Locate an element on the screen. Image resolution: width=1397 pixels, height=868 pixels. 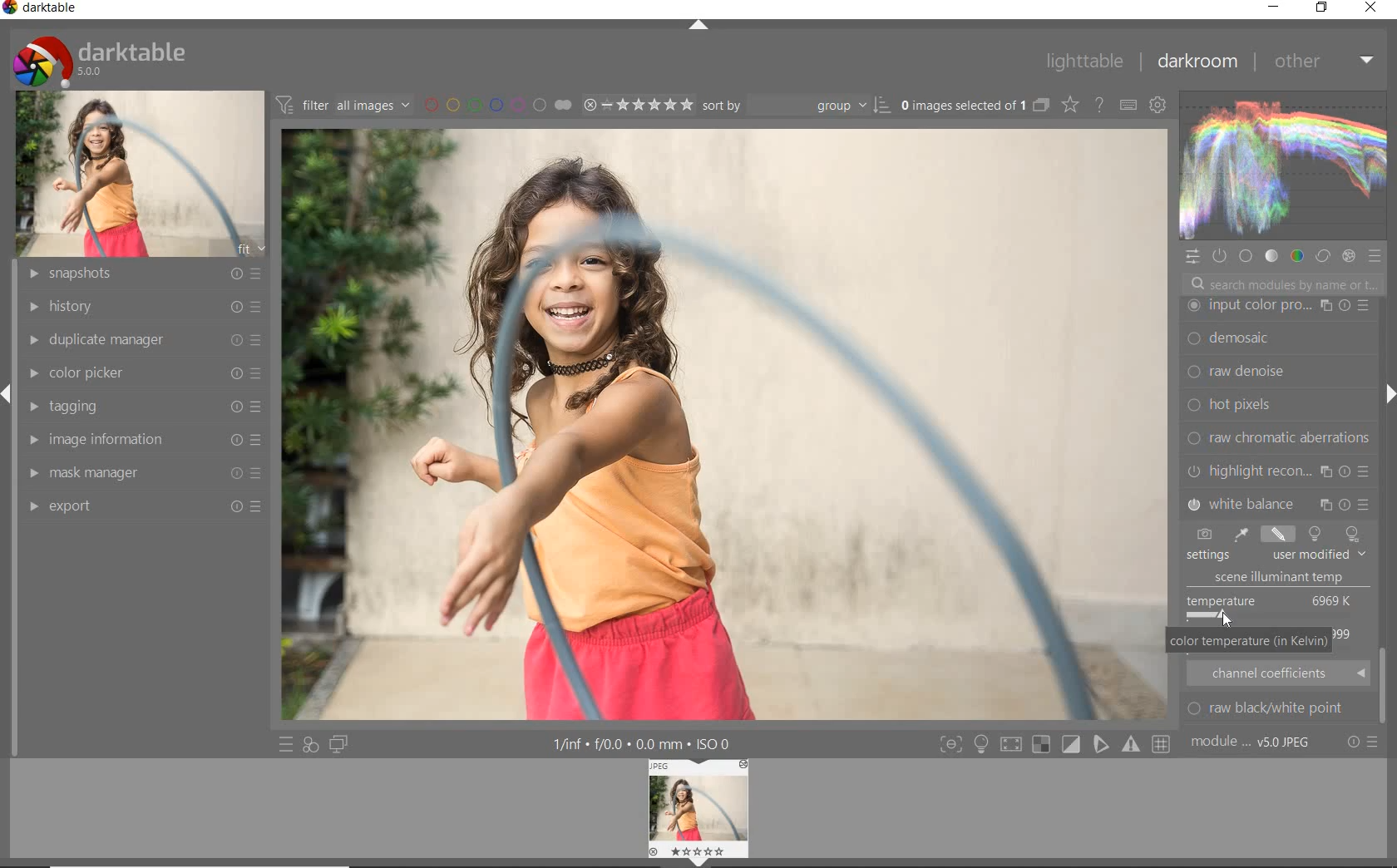
base is located at coordinates (1247, 258).